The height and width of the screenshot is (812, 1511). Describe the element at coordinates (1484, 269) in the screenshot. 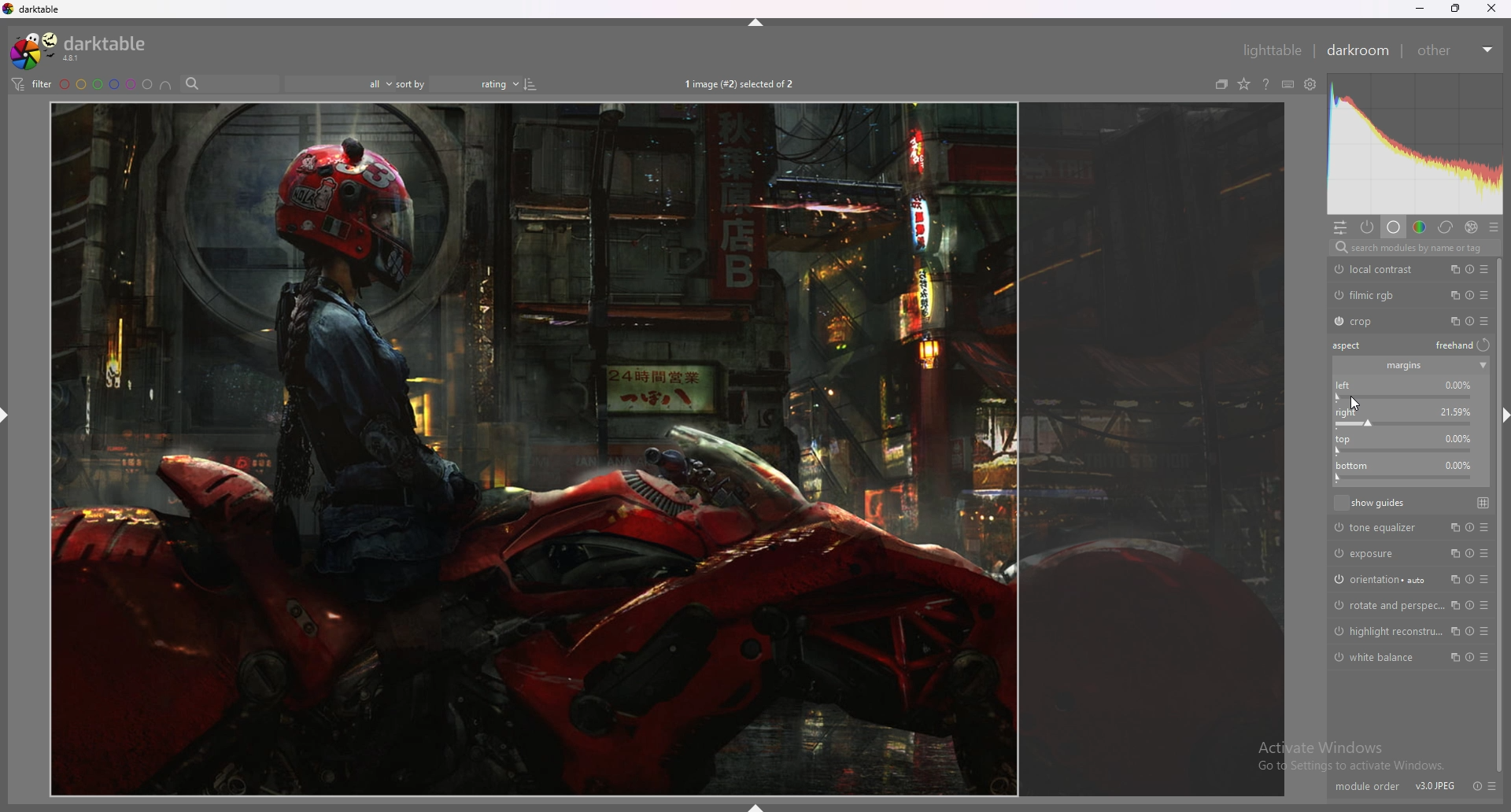

I see `presets` at that location.